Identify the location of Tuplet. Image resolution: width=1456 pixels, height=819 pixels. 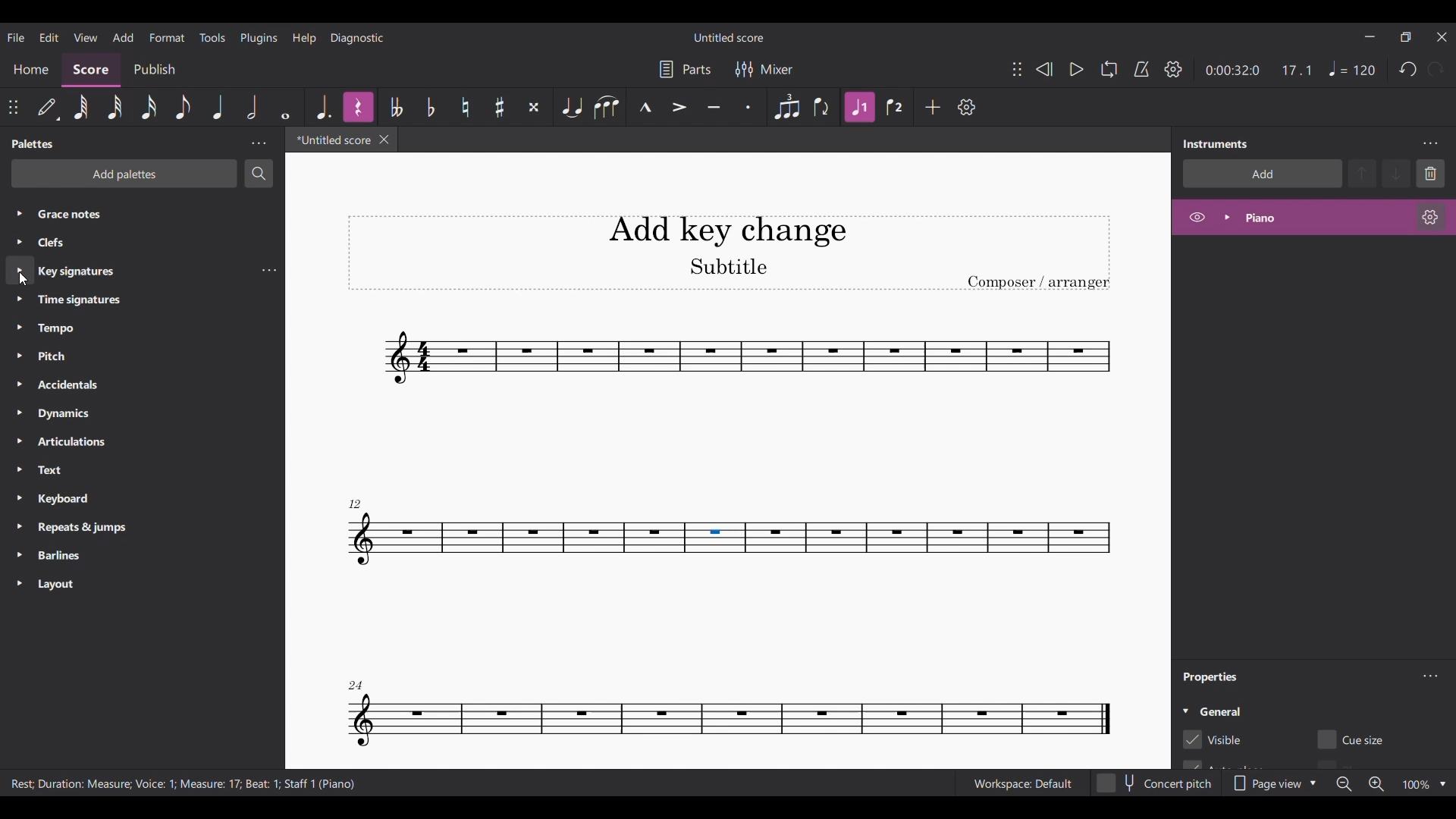
(787, 107).